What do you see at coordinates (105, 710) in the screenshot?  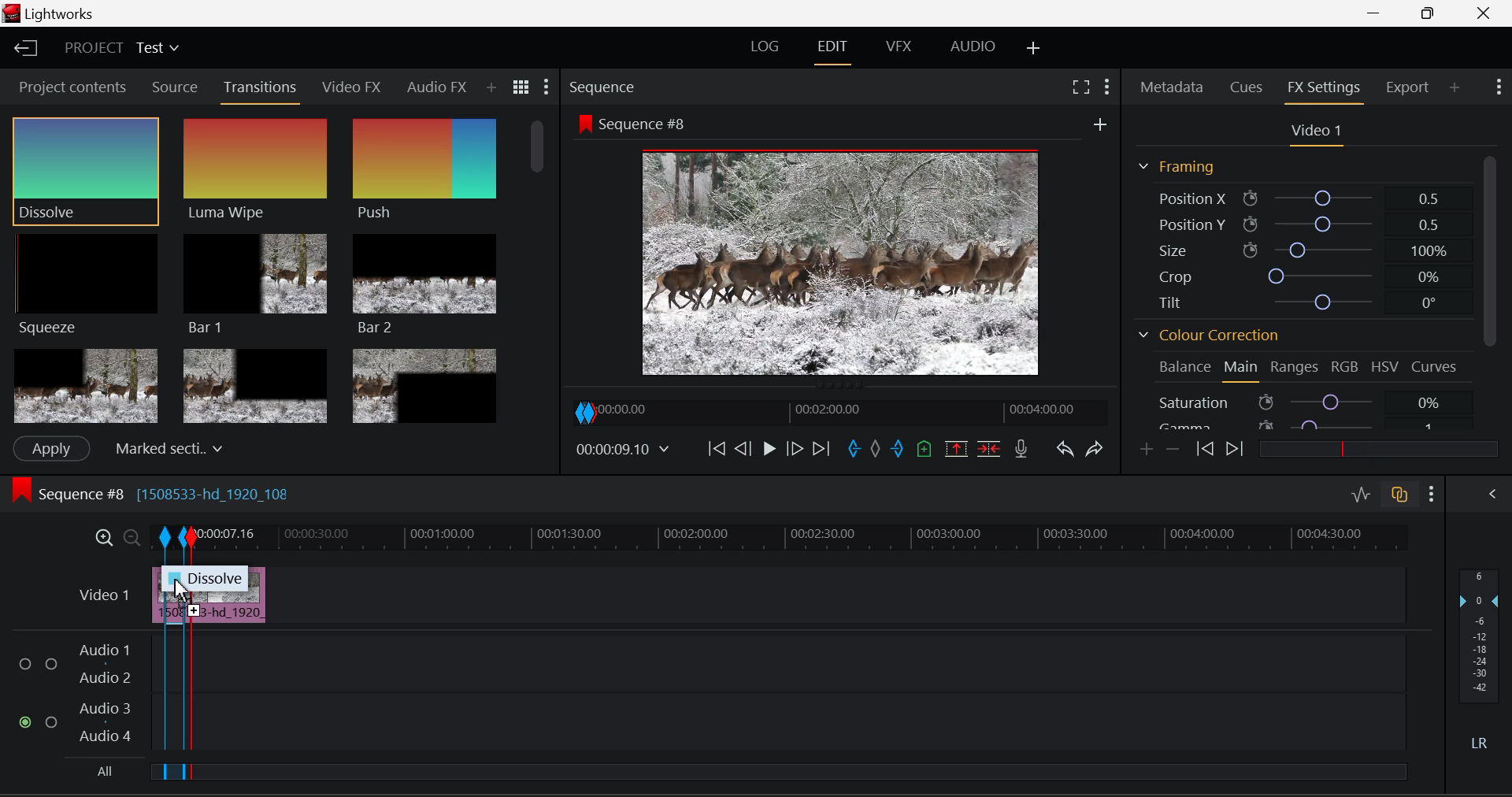 I see `Audio 3` at bounding box center [105, 710].